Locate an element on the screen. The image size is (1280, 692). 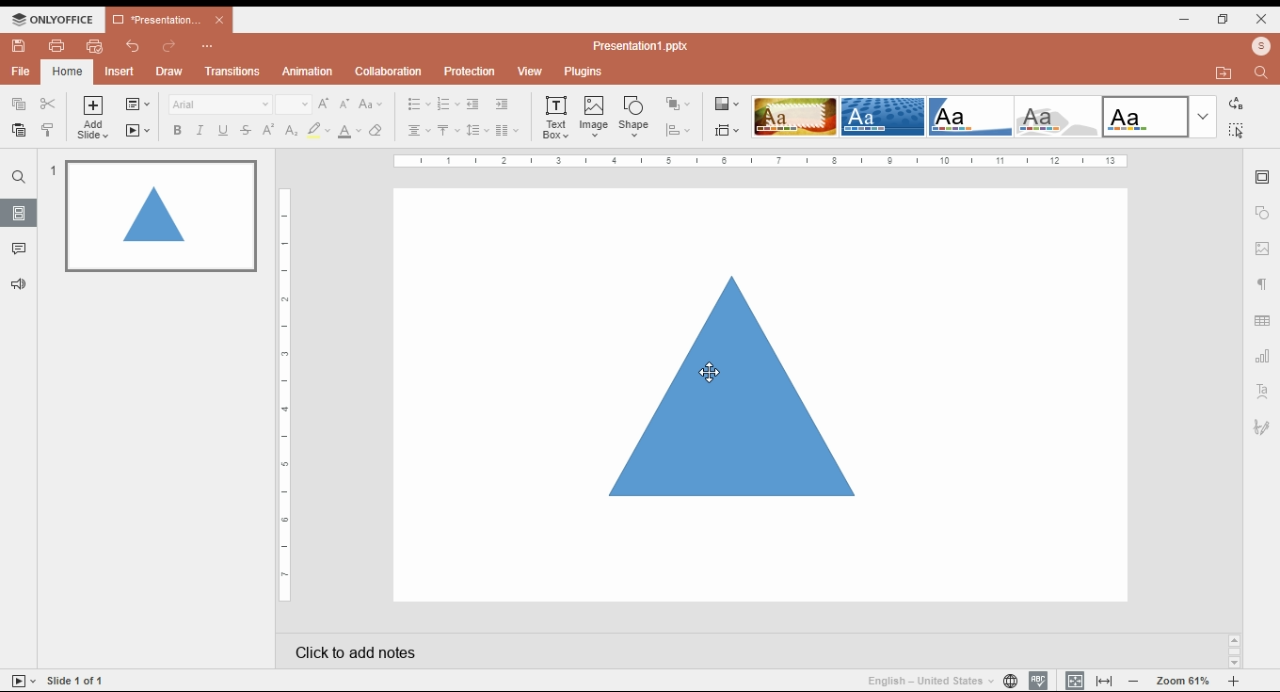
erase is located at coordinates (377, 131).